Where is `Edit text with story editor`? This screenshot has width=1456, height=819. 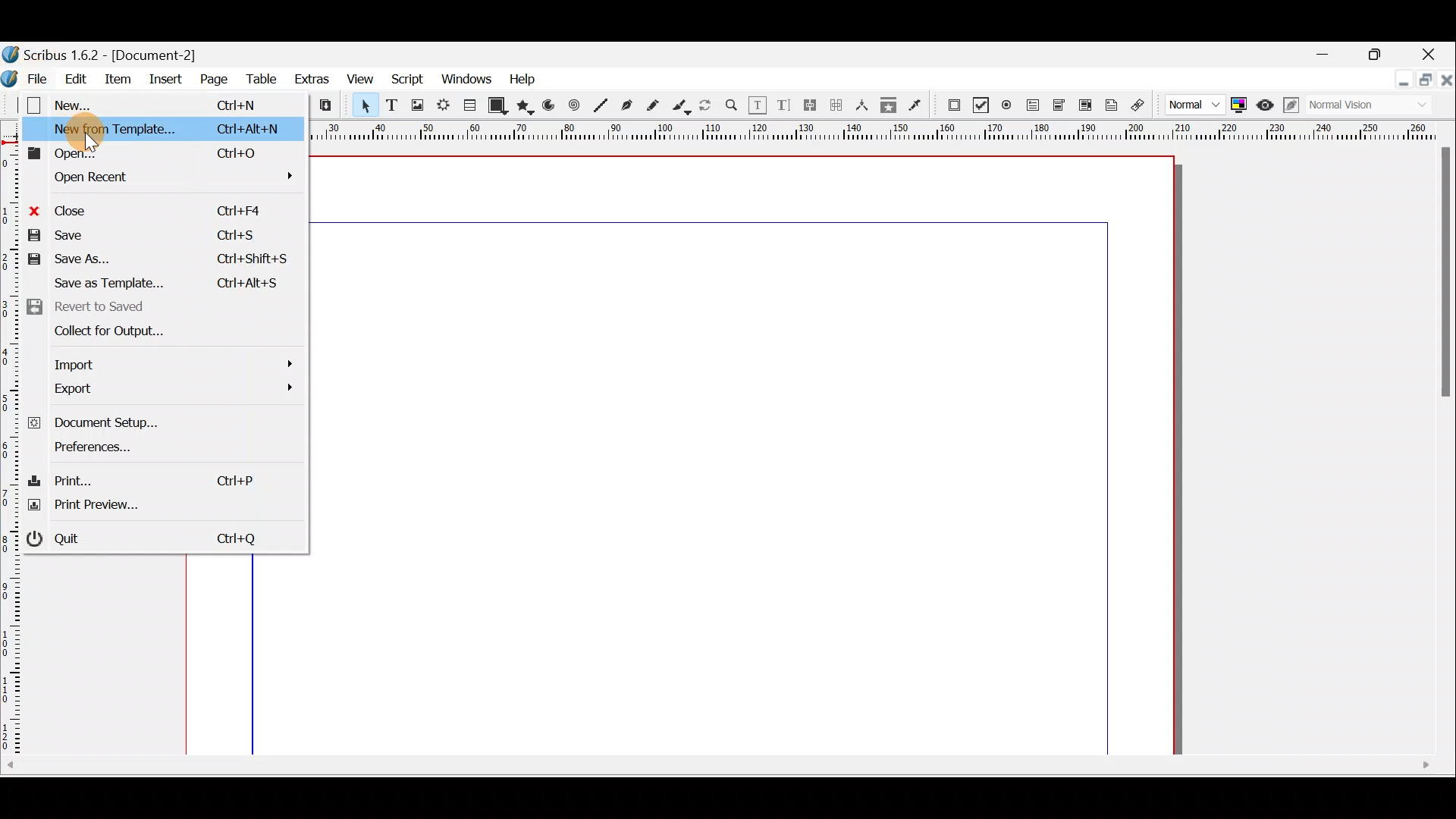 Edit text with story editor is located at coordinates (784, 104).